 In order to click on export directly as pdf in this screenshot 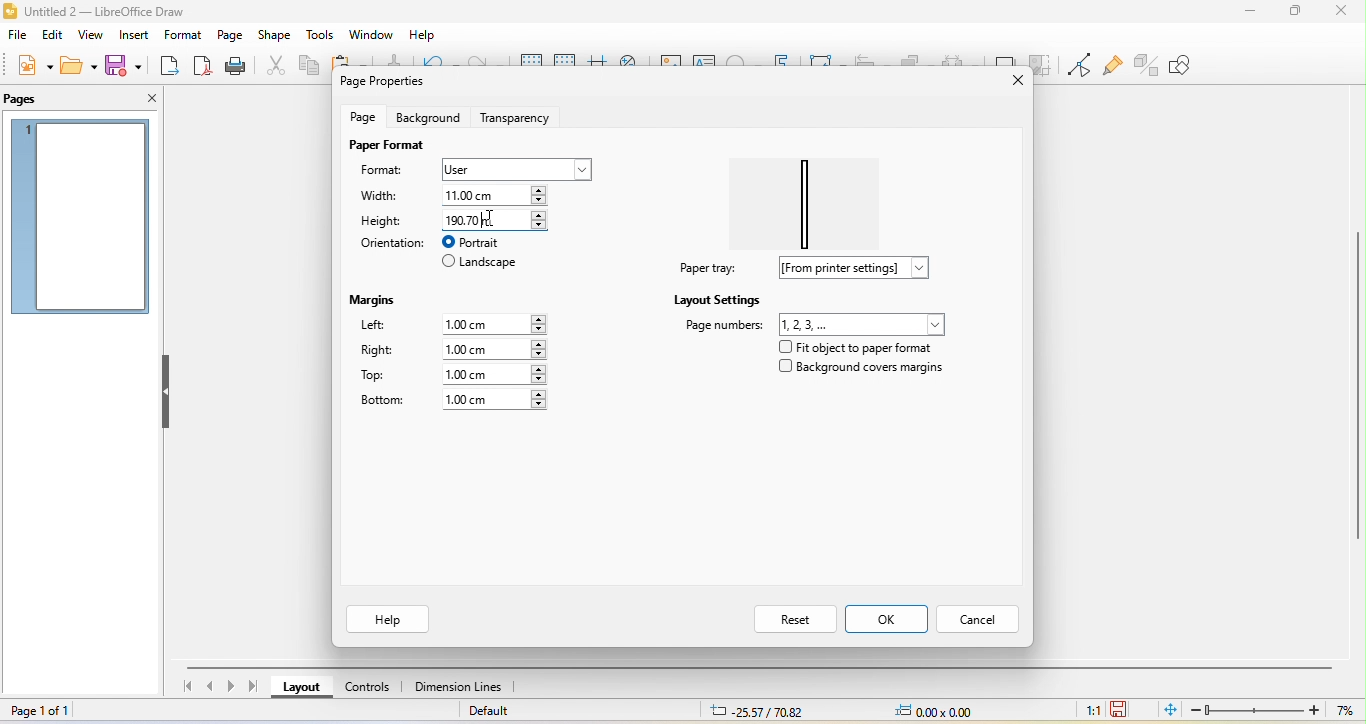, I will do `click(202, 66)`.